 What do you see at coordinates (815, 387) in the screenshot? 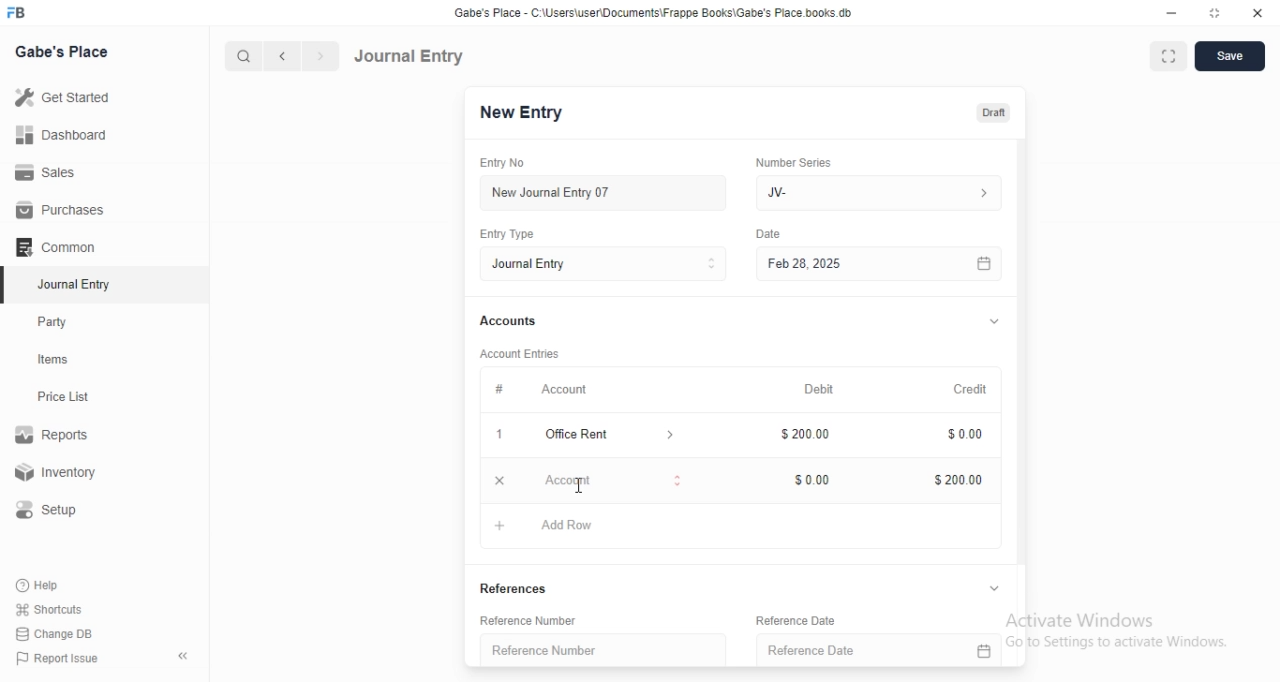
I see `Debit` at bounding box center [815, 387].